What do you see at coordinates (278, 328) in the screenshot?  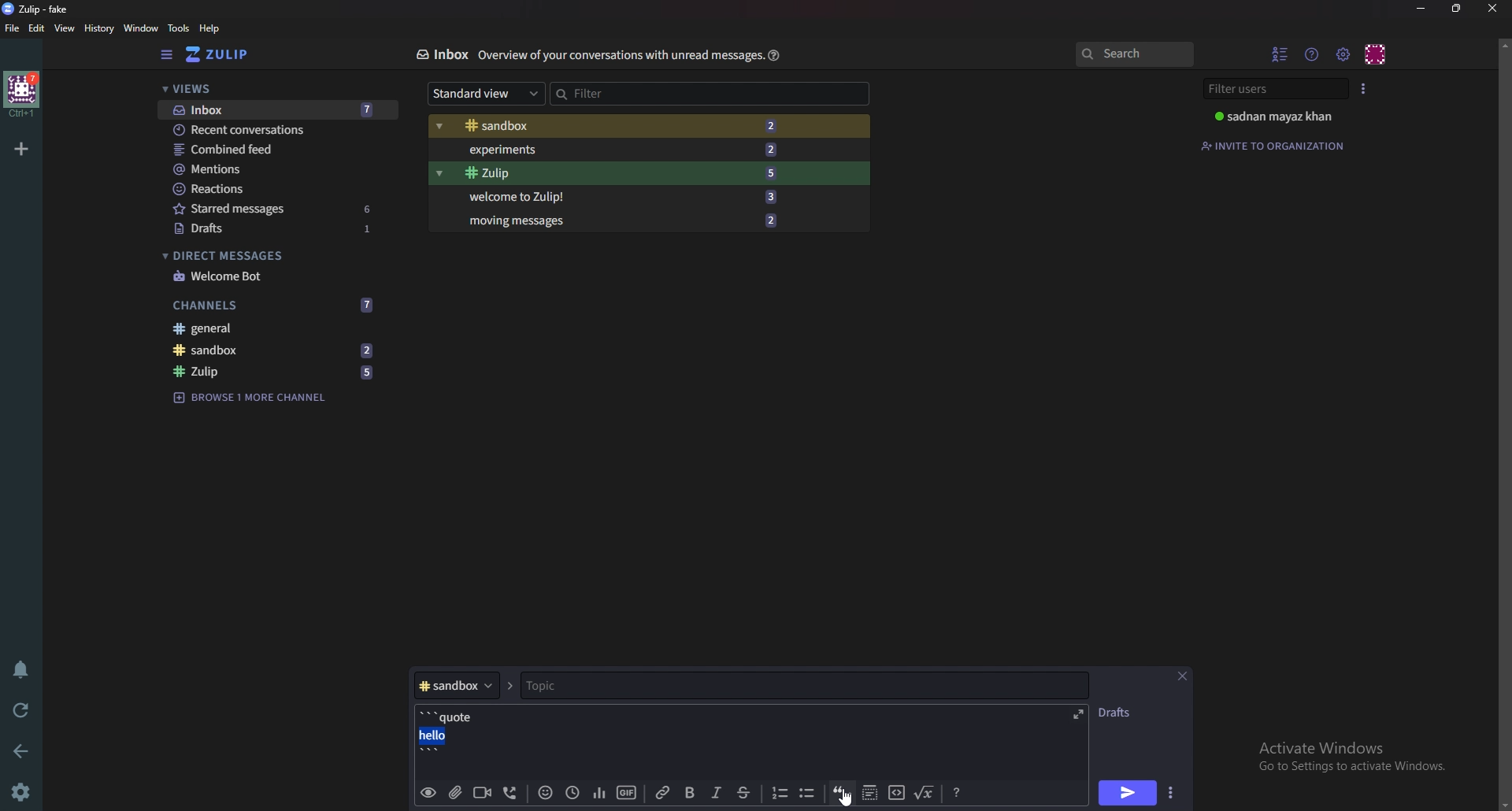 I see `# General` at bounding box center [278, 328].